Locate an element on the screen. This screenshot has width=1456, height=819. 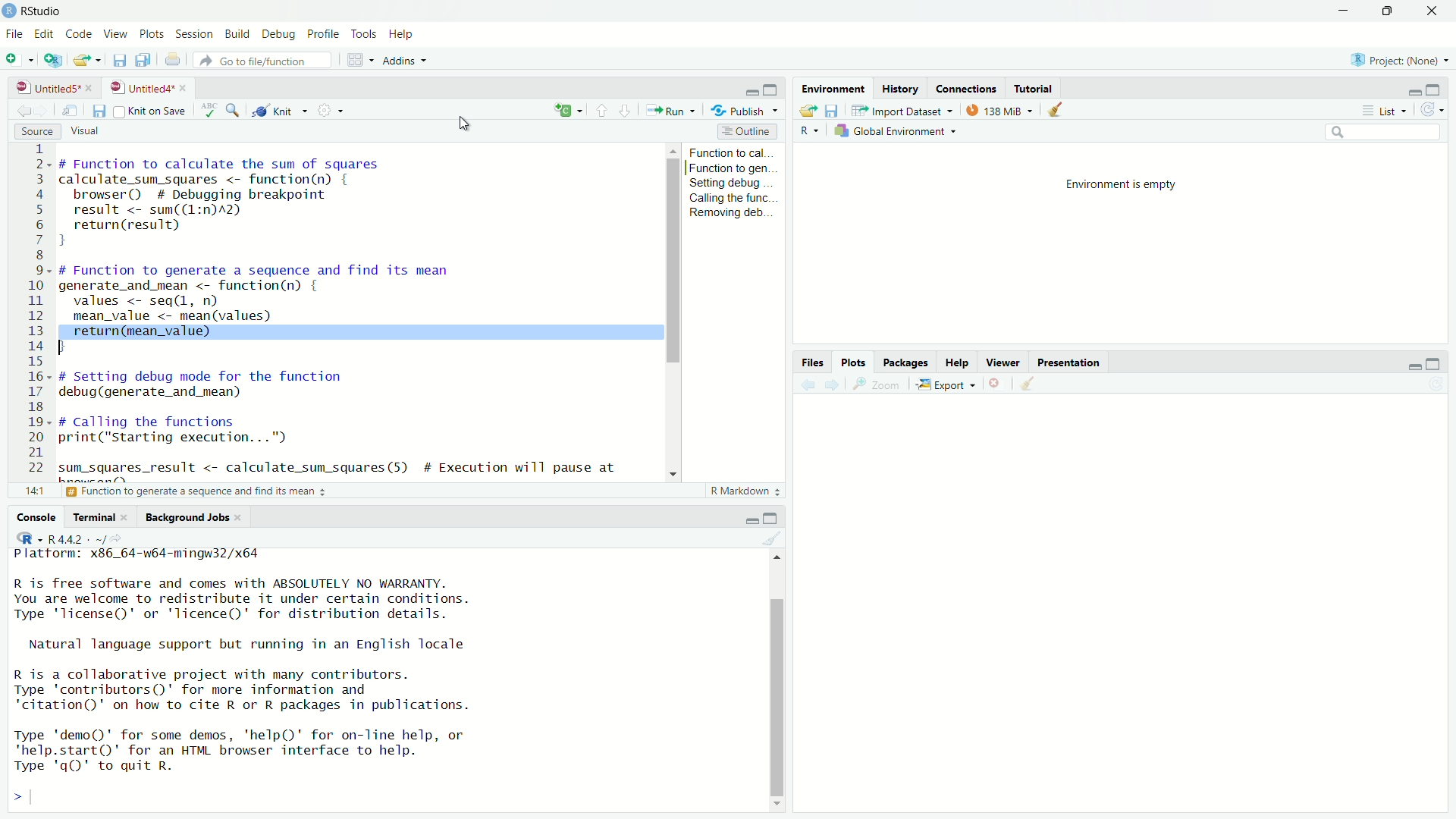
workspace panes is located at coordinates (362, 60).